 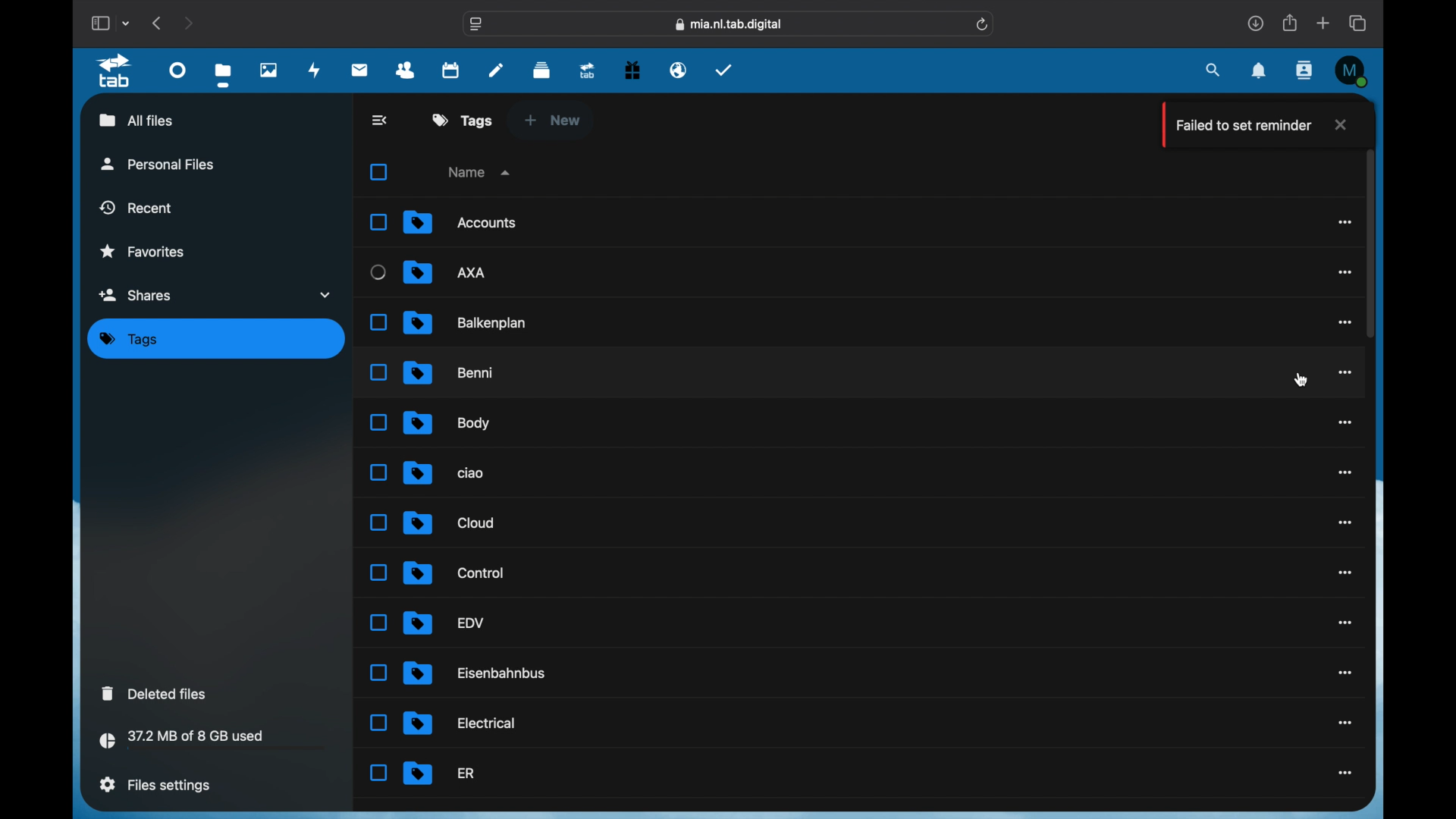 What do you see at coordinates (177, 69) in the screenshot?
I see `dashboard` at bounding box center [177, 69].